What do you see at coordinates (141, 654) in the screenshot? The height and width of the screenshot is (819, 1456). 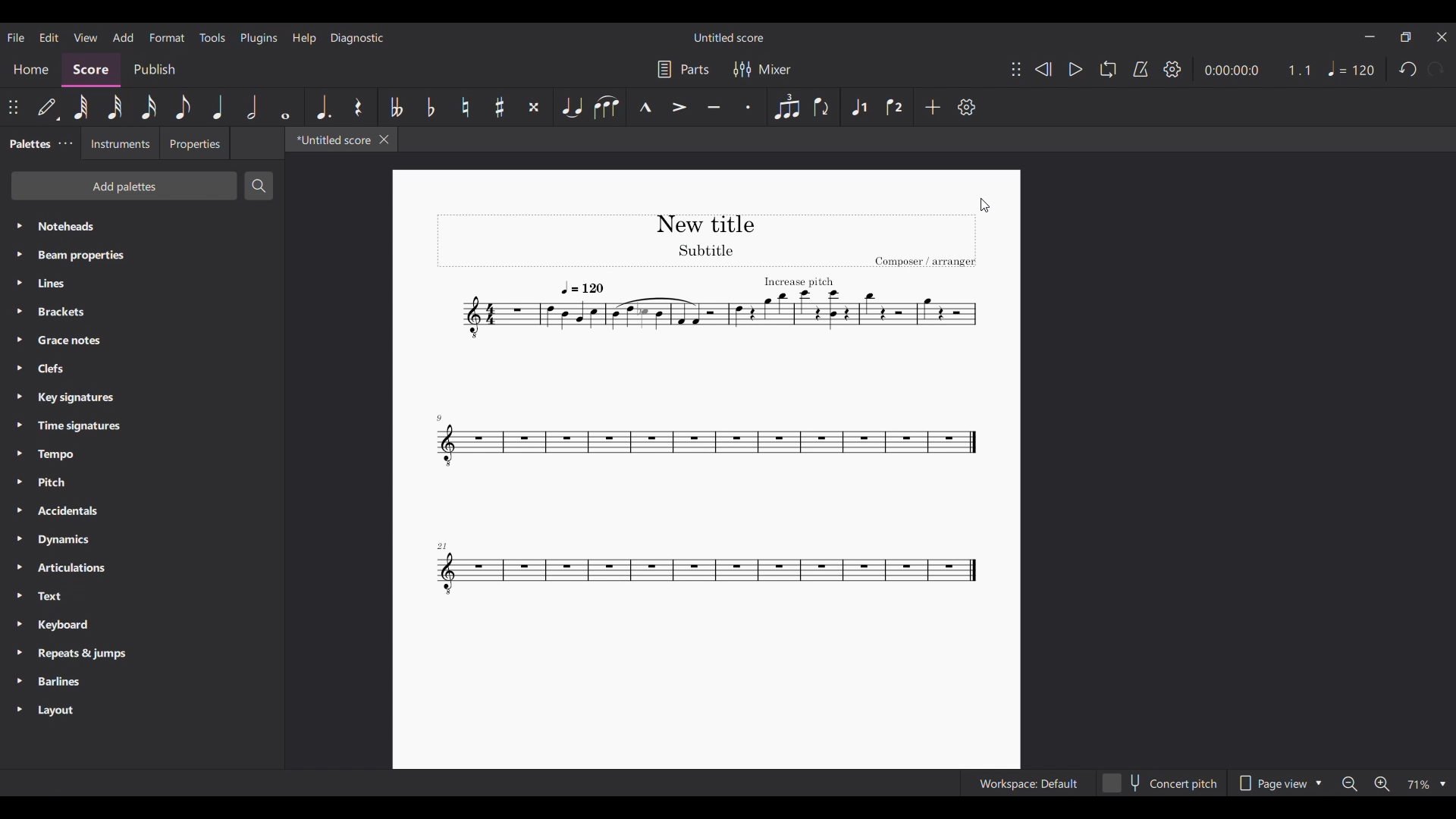 I see `Repeats & jumps` at bounding box center [141, 654].